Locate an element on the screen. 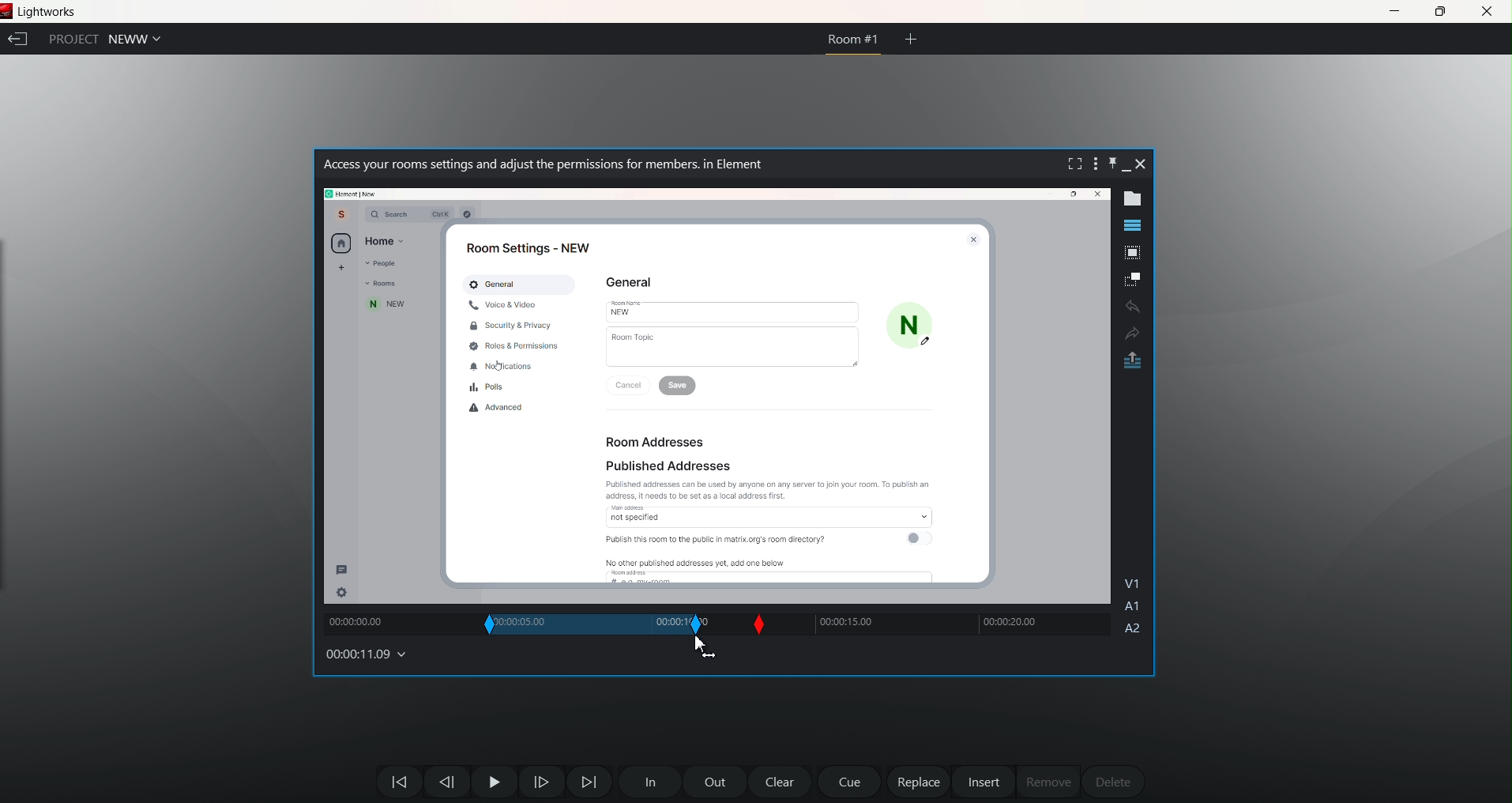 The width and height of the screenshot is (1512, 803). Access your rooms settings and adjust the permissions for members. in Element is located at coordinates (542, 164).